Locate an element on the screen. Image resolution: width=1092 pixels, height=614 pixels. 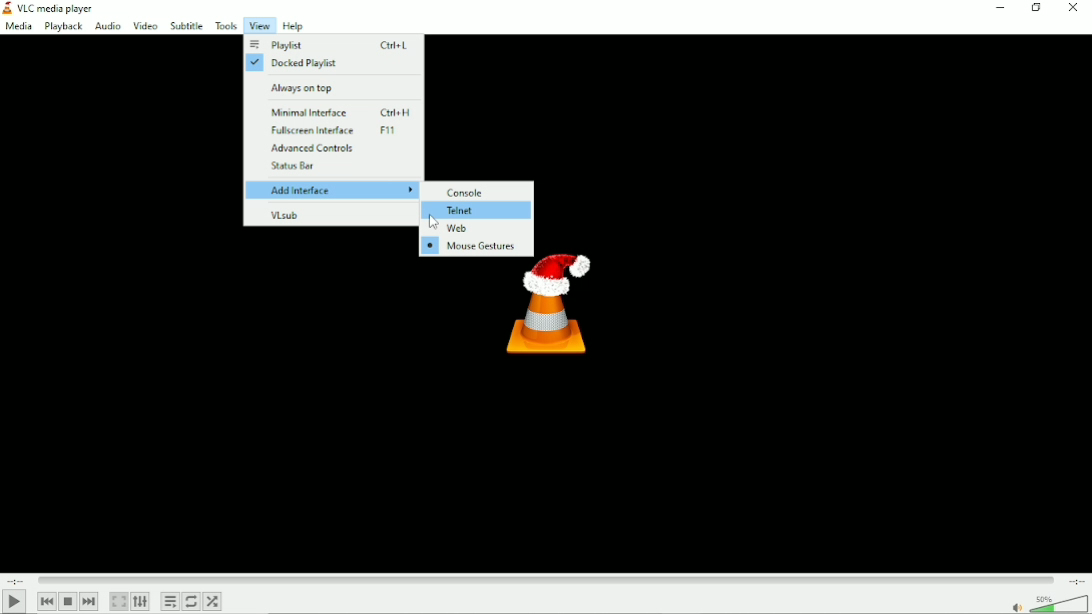
Docked playlist is located at coordinates (329, 64).